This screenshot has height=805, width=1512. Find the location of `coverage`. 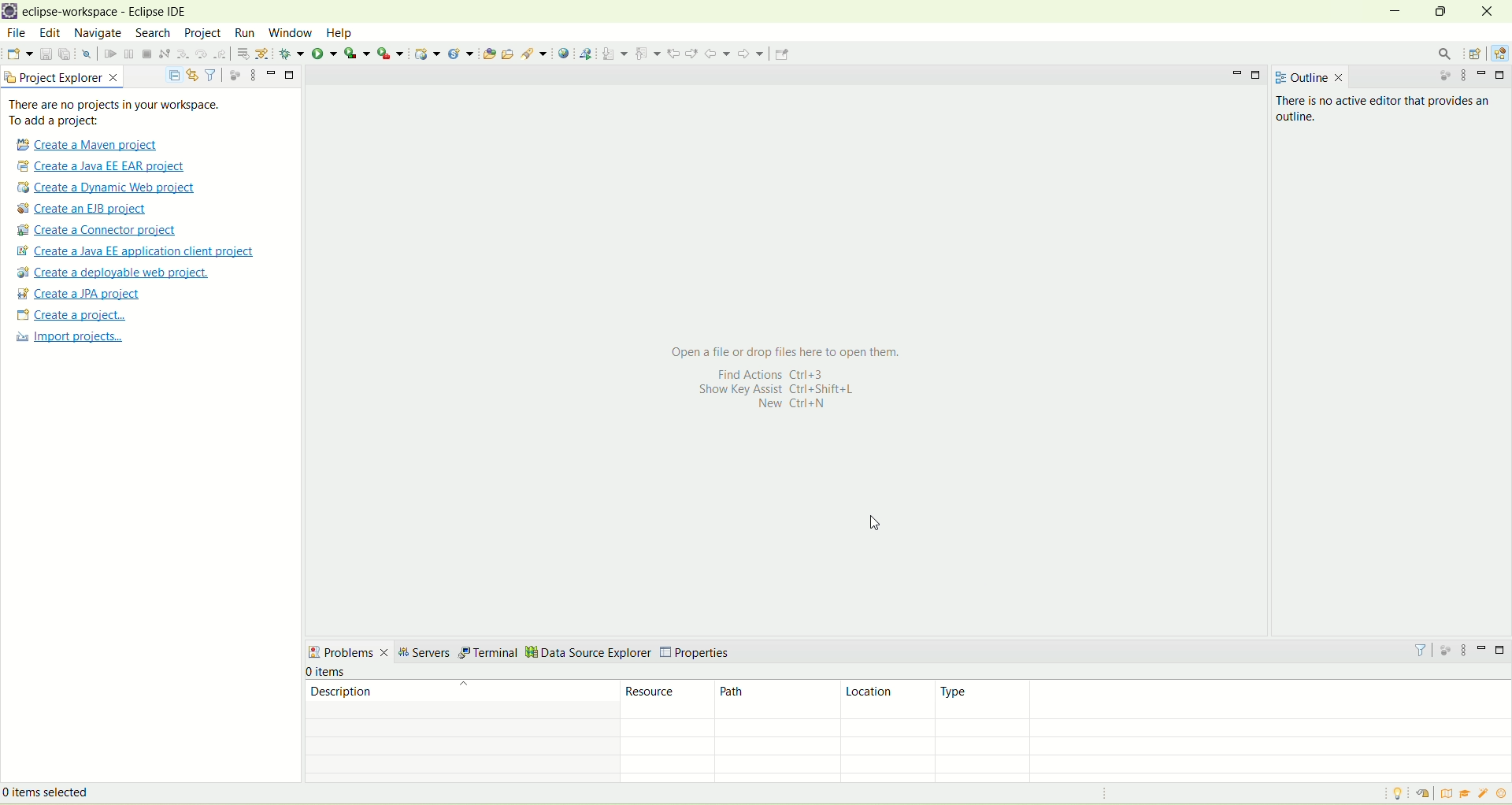

coverage is located at coordinates (421, 53).